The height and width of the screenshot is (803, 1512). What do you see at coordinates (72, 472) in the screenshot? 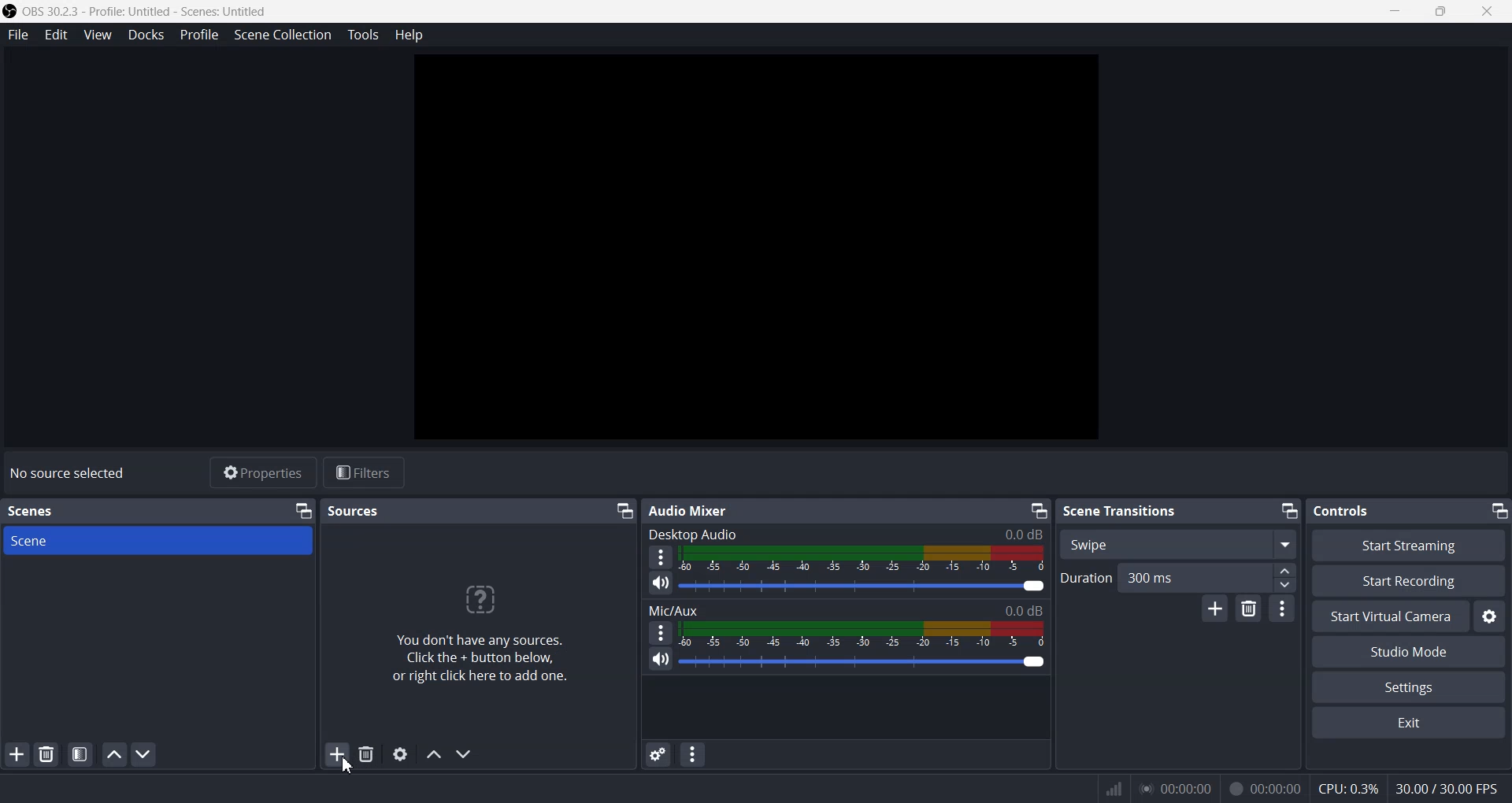
I see `No source selected` at bounding box center [72, 472].